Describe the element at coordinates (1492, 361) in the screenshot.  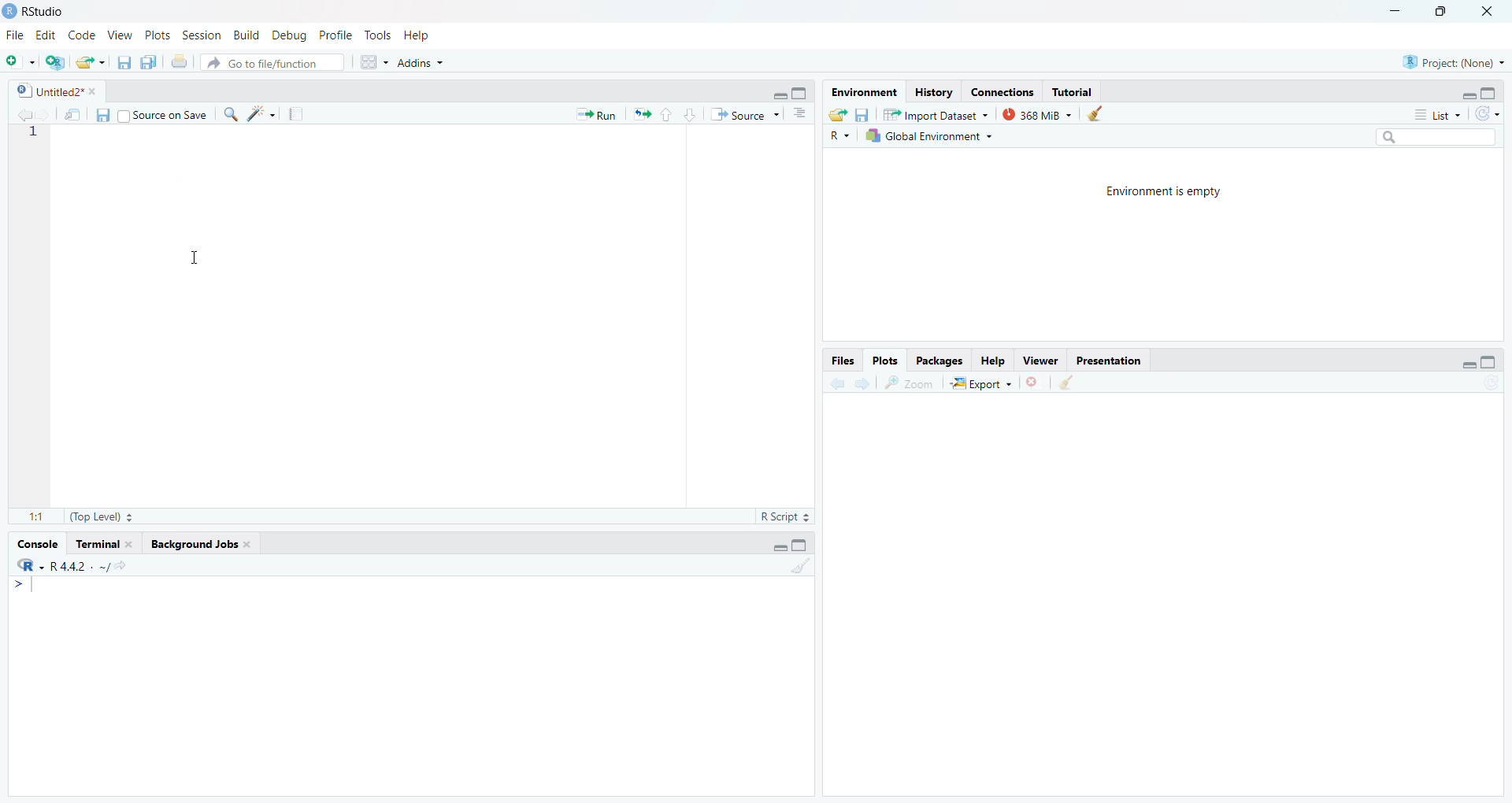
I see `maximise` at that location.